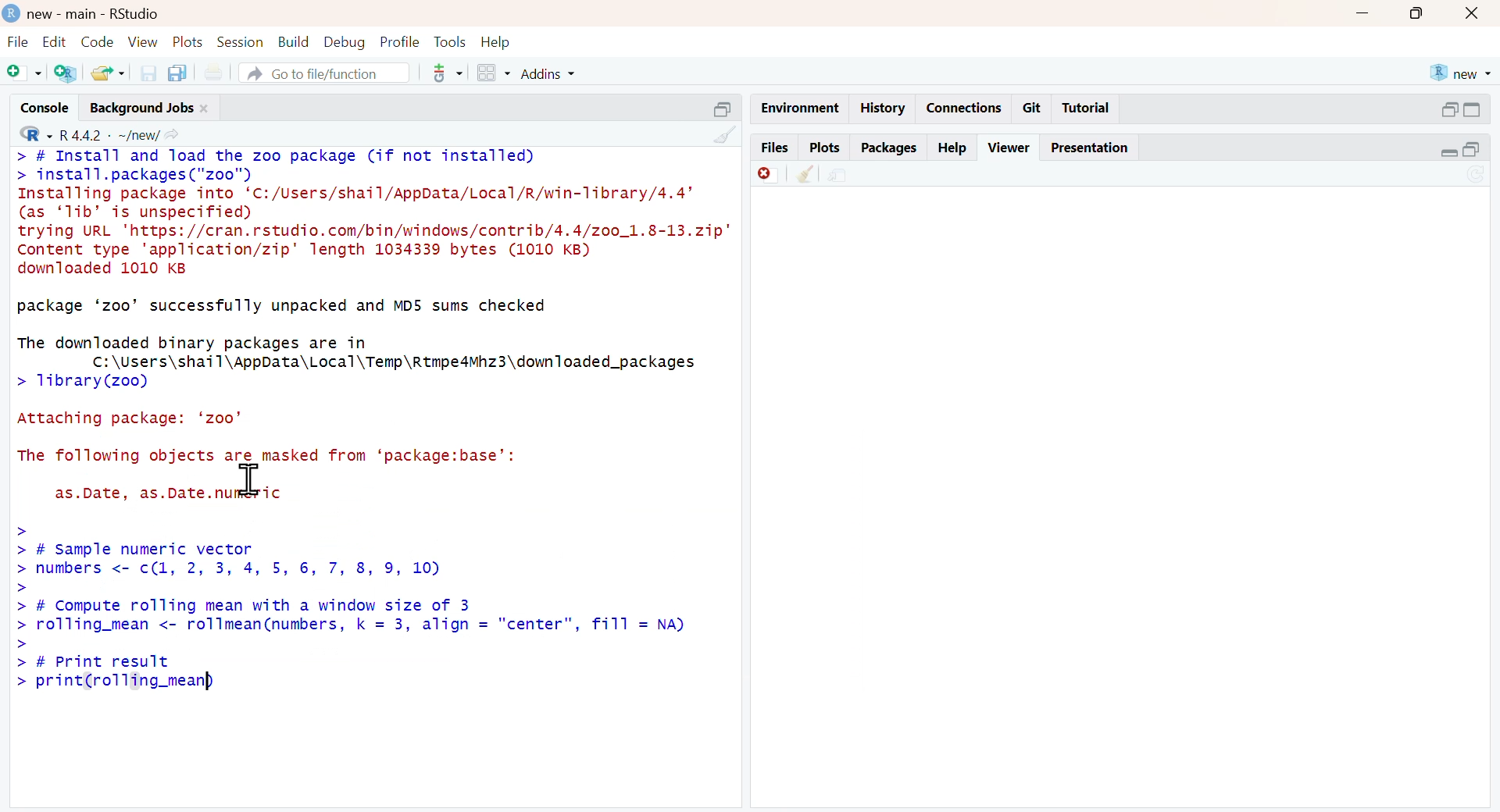 The height and width of the screenshot is (812, 1500). What do you see at coordinates (216, 72) in the screenshot?
I see `print` at bounding box center [216, 72].